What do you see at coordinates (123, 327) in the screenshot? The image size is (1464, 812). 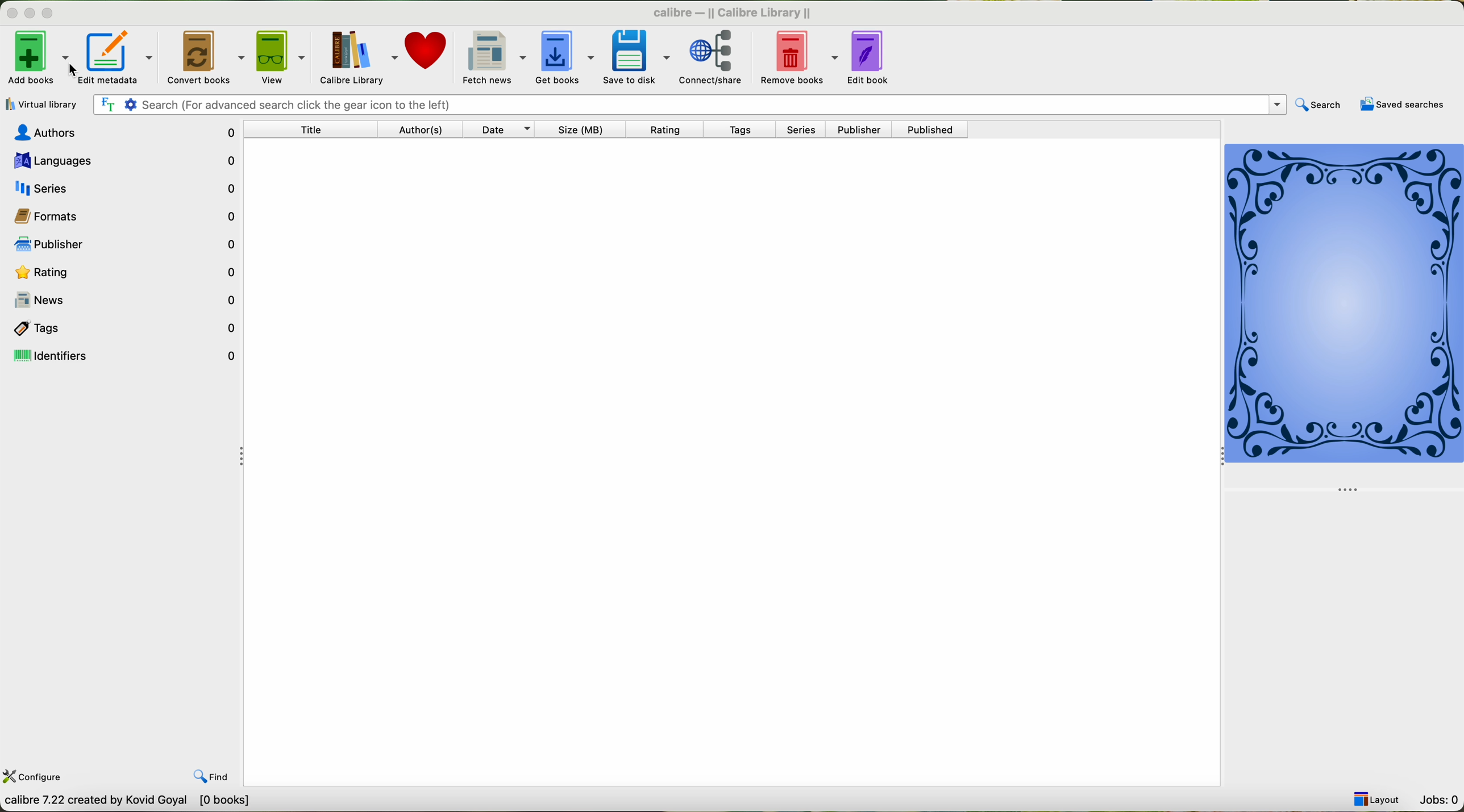 I see `tags` at bounding box center [123, 327].